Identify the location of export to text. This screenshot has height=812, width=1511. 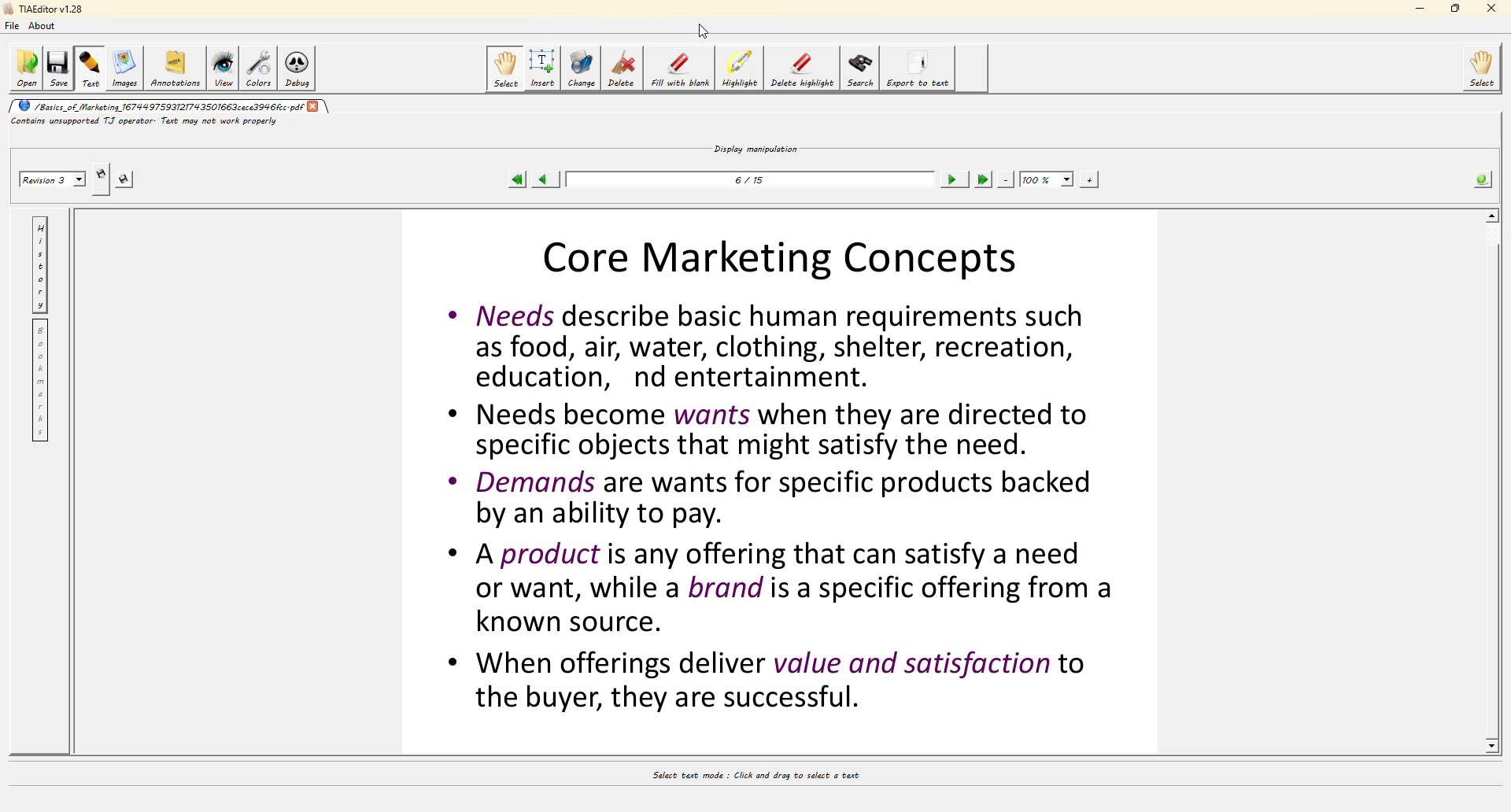
(914, 66).